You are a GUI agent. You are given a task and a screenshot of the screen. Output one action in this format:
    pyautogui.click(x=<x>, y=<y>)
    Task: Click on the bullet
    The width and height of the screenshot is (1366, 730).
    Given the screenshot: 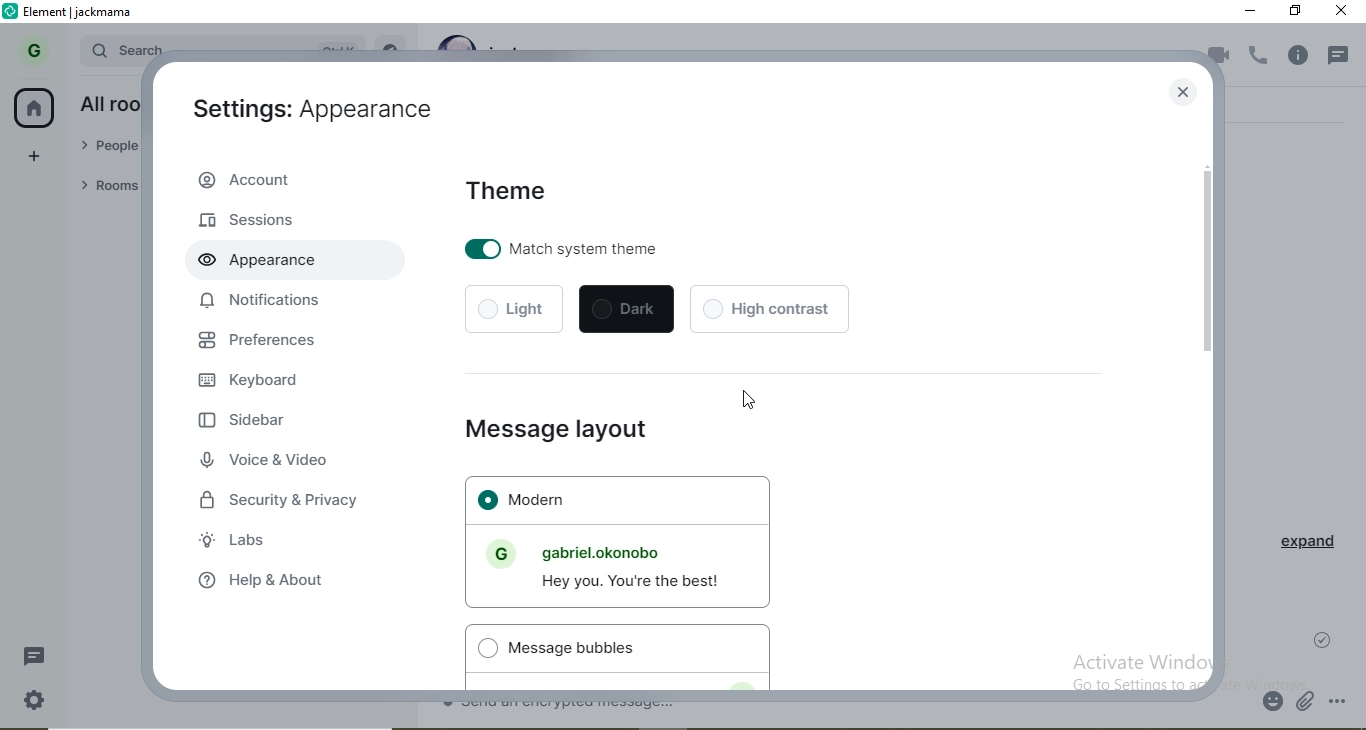 What is the action you would take?
    pyautogui.click(x=486, y=649)
    